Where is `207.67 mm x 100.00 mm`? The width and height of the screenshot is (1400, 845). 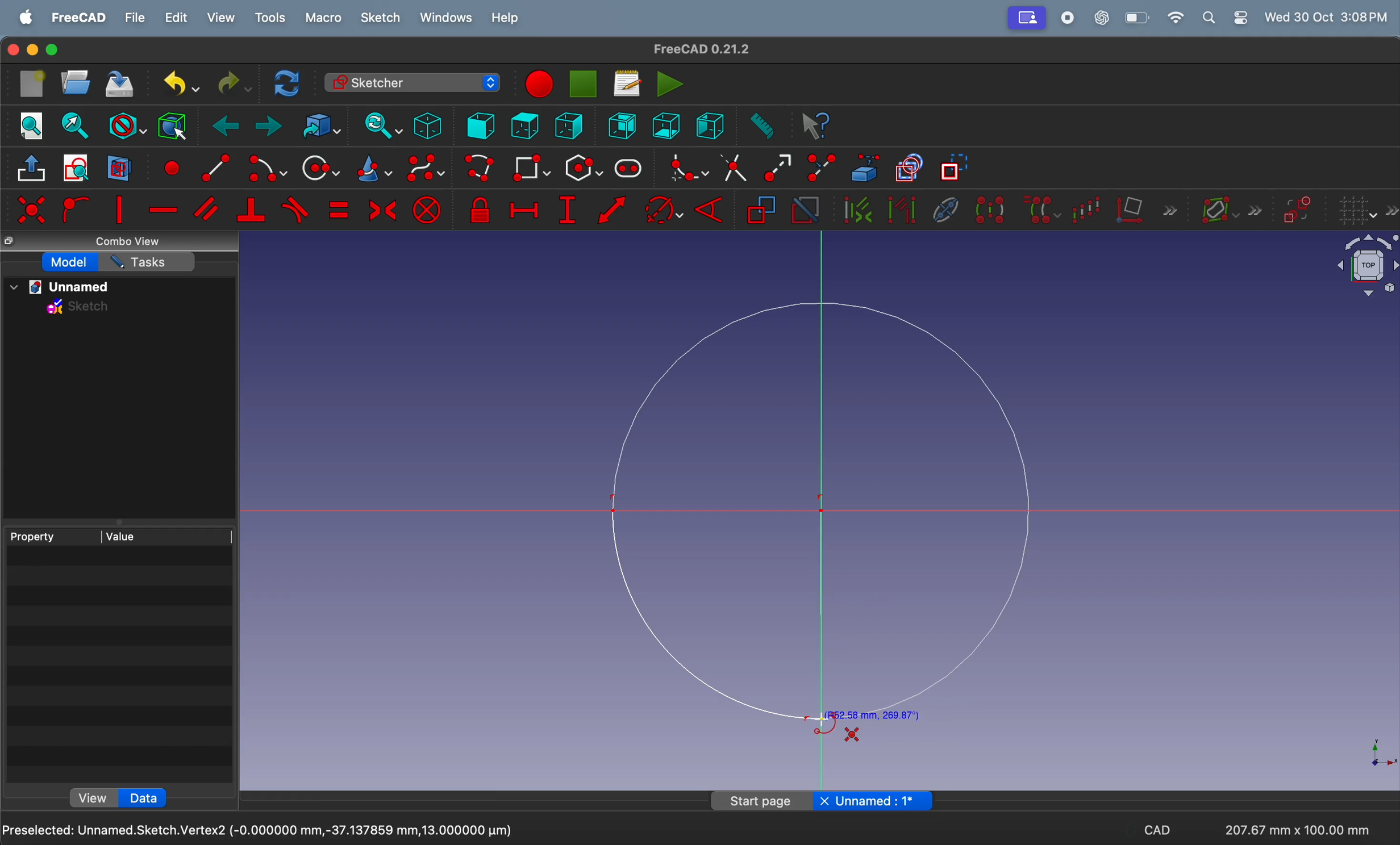
207.67 mm x 100.00 mm is located at coordinates (1295, 830).